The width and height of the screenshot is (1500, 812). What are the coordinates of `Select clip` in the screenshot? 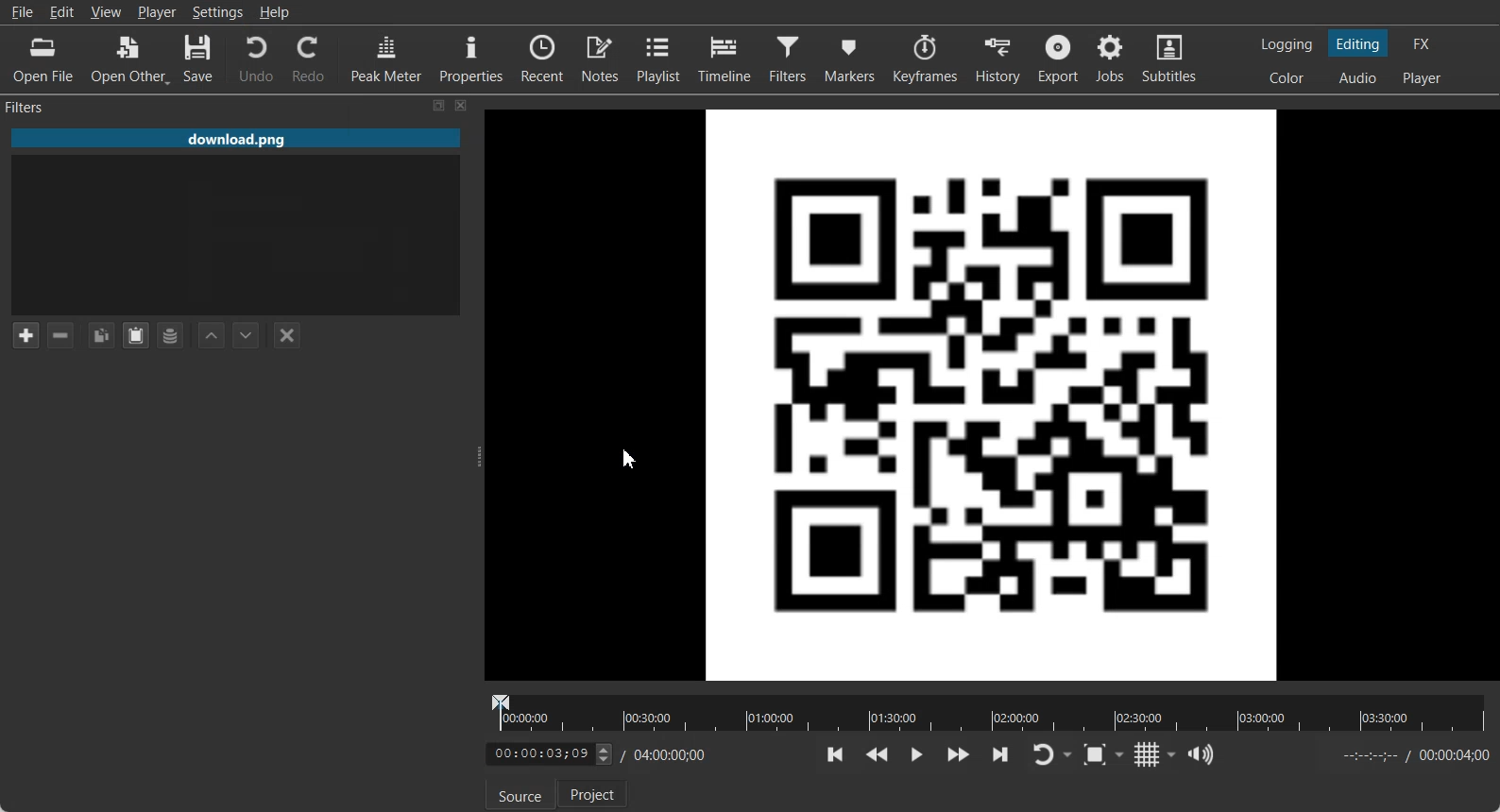 It's located at (234, 234).